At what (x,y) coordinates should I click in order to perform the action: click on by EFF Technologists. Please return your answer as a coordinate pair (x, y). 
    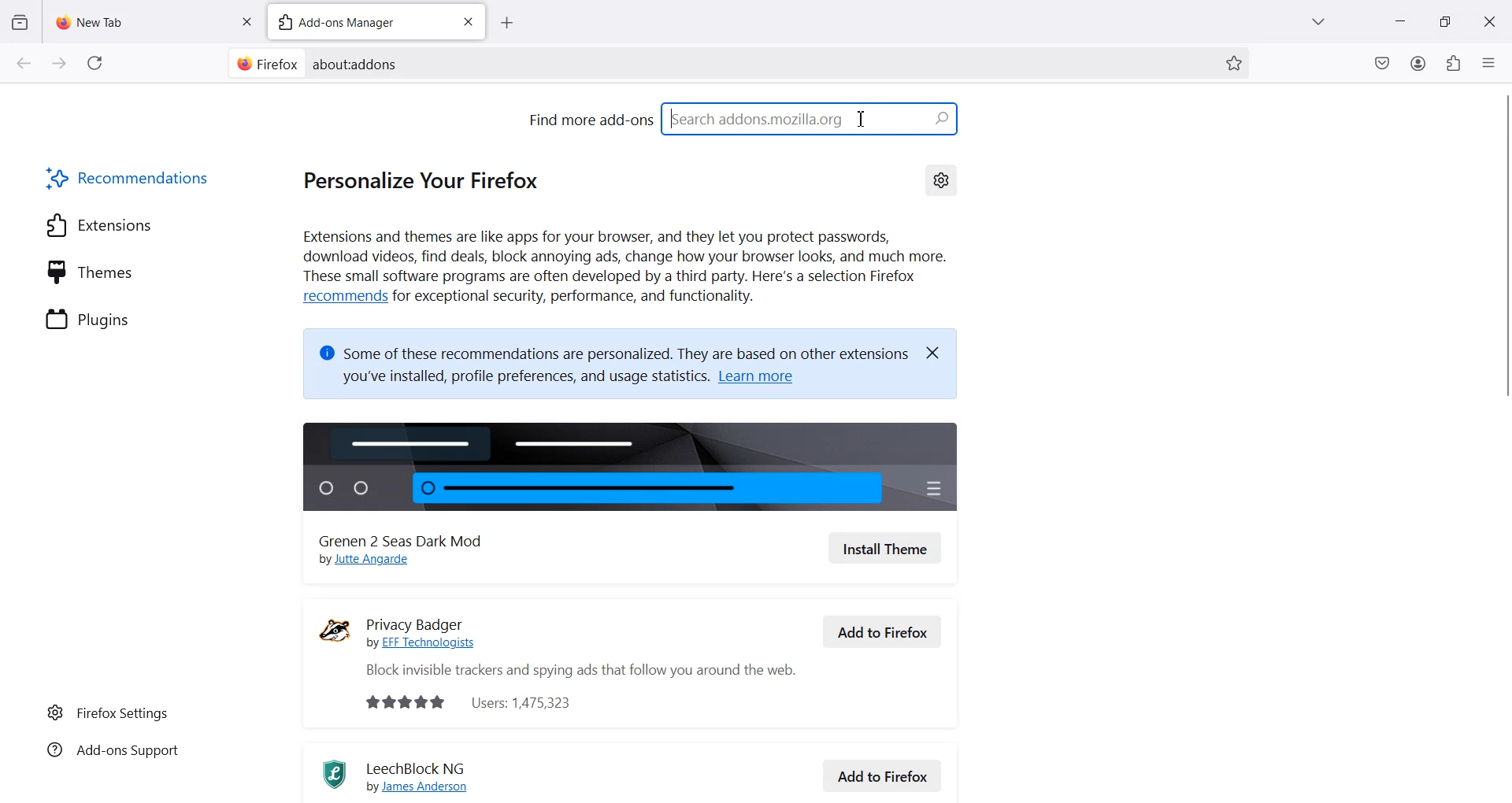
    Looking at the image, I should click on (428, 643).